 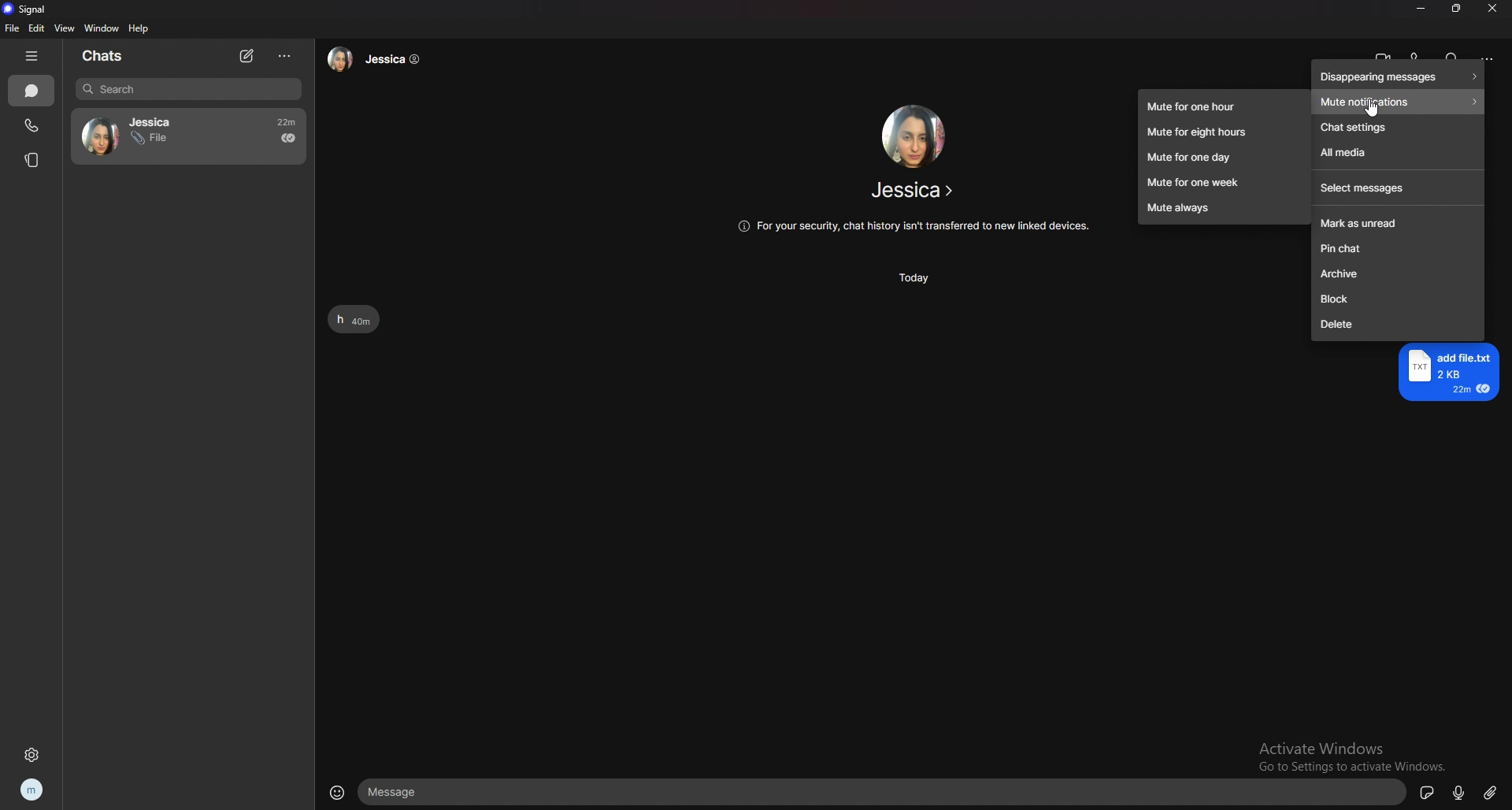 I want to click on archive, so click(x=1398, y=275).